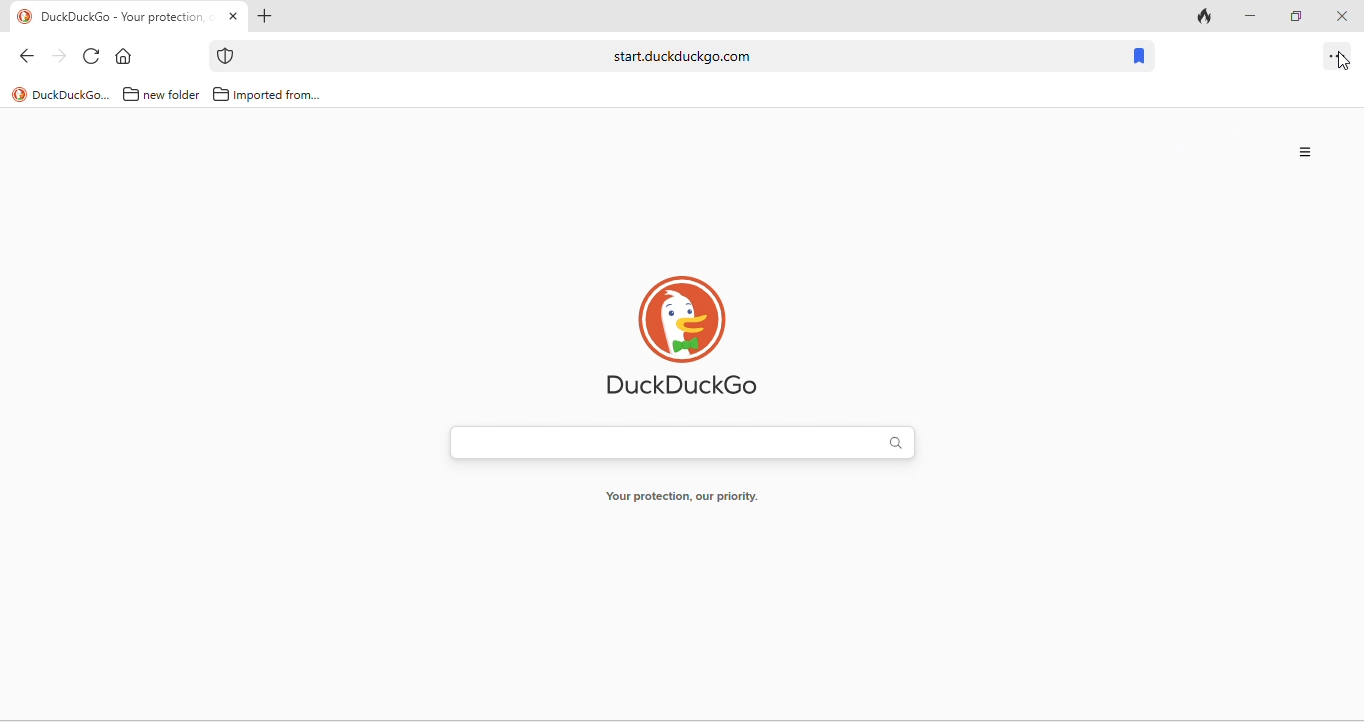  Describe the element at coordinates (1348, 64) in the screenshot. I see `cursor` at that location.